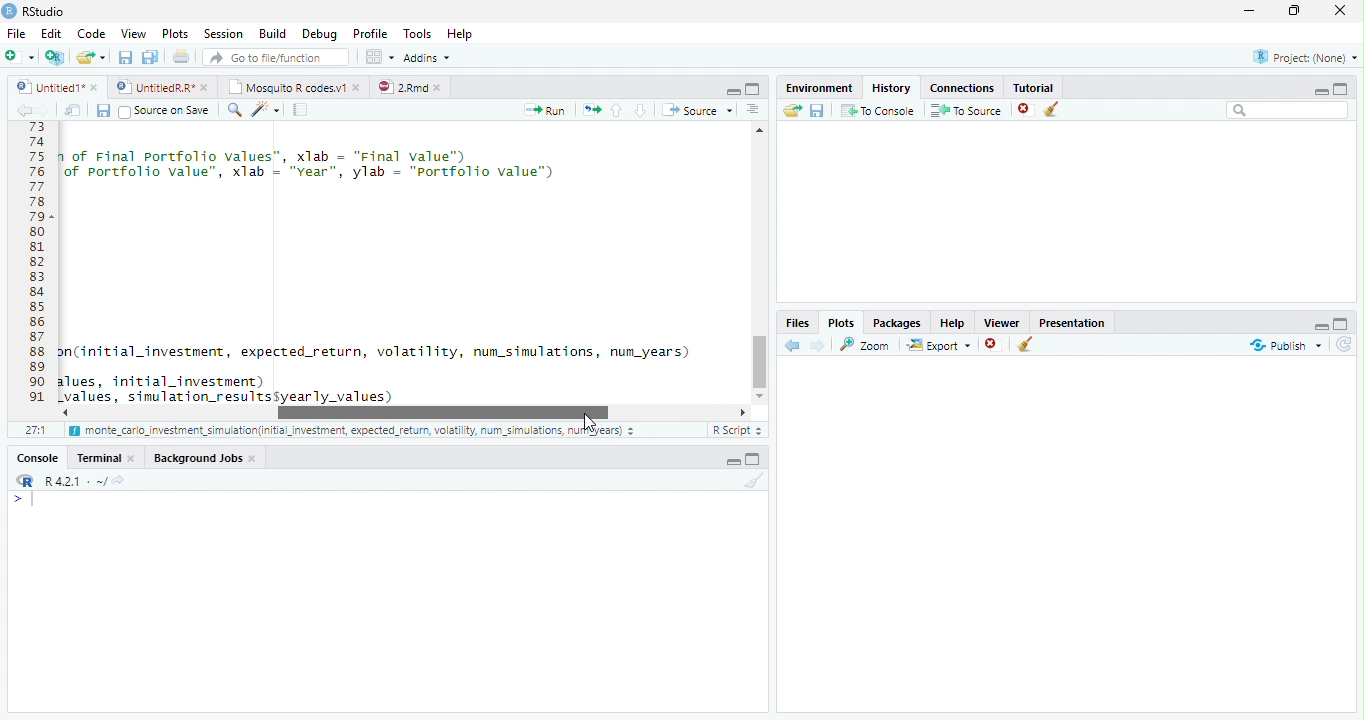  Describe the element at coordinates (50, 32) in the screenshot. I see `Edit` at that location.